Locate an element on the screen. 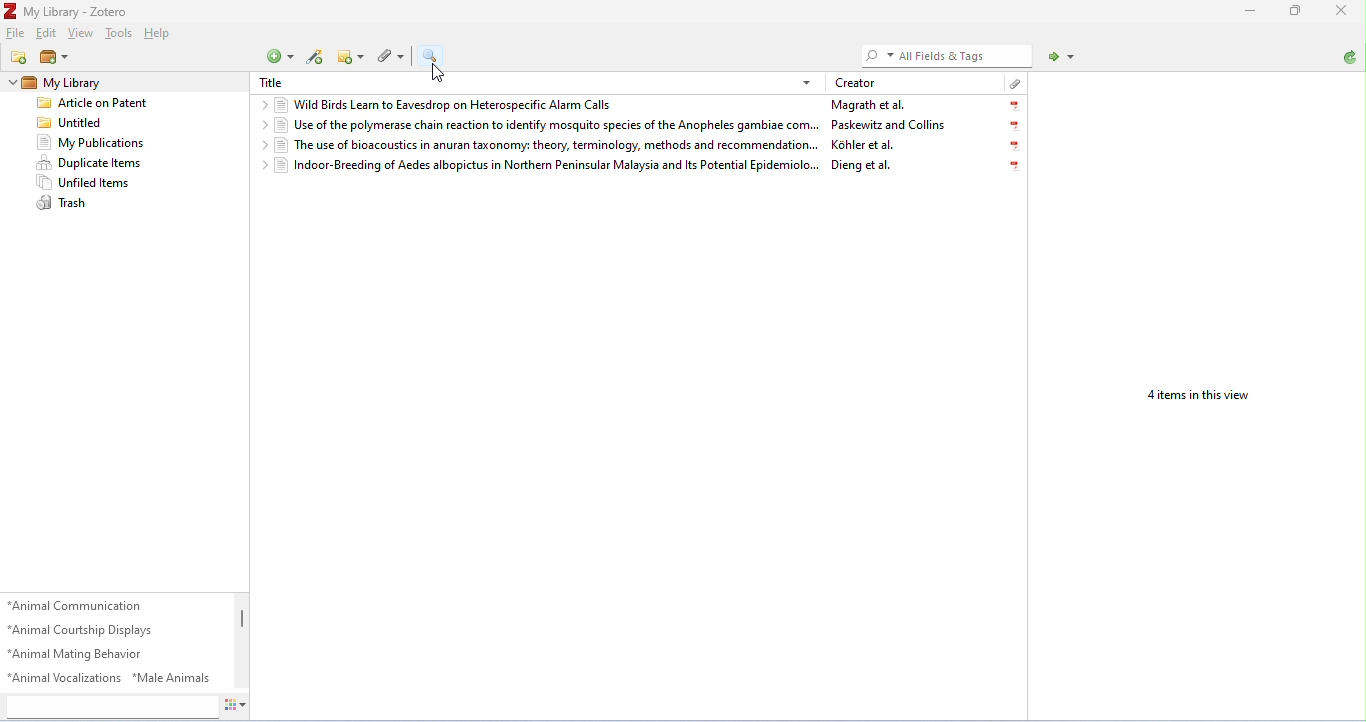 The height and width of the screenshot is (722, 1366). actions is located at coordinates (234, 704).